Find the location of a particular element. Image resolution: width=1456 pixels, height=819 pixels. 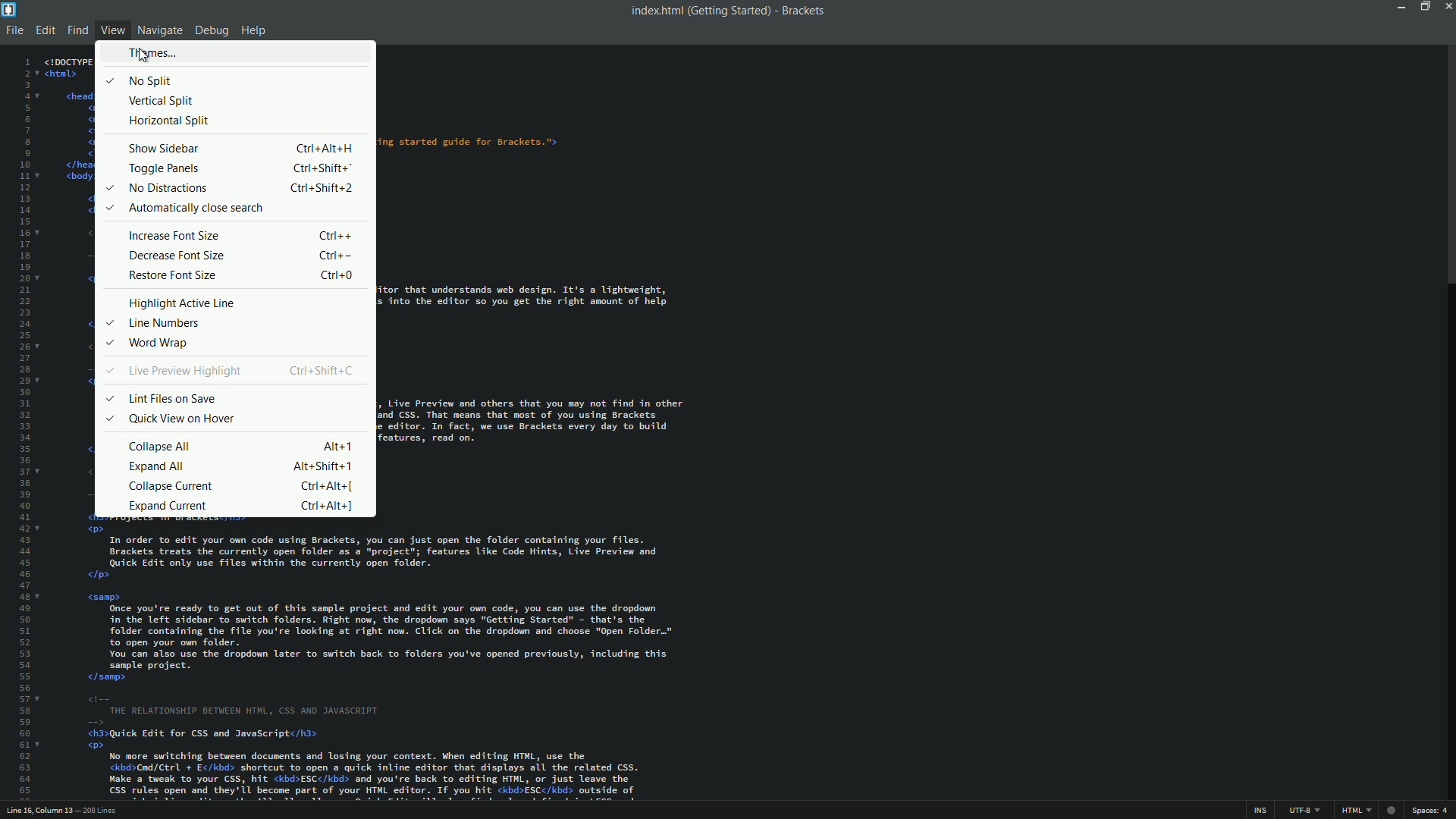

keyboard shortcut is located at coordinates (322, 466).